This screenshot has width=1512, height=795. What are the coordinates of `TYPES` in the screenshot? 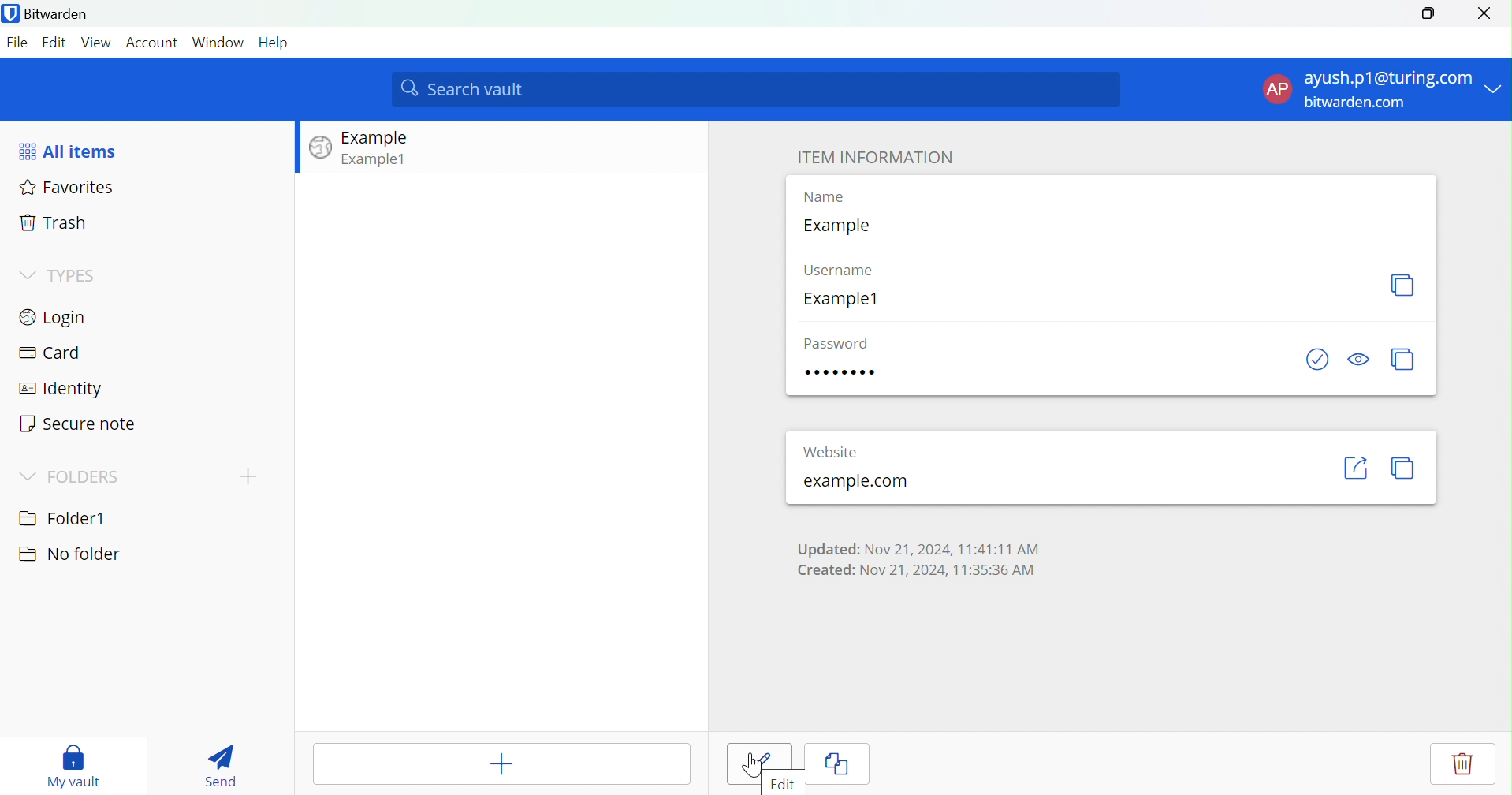 It's located at (74, 277).